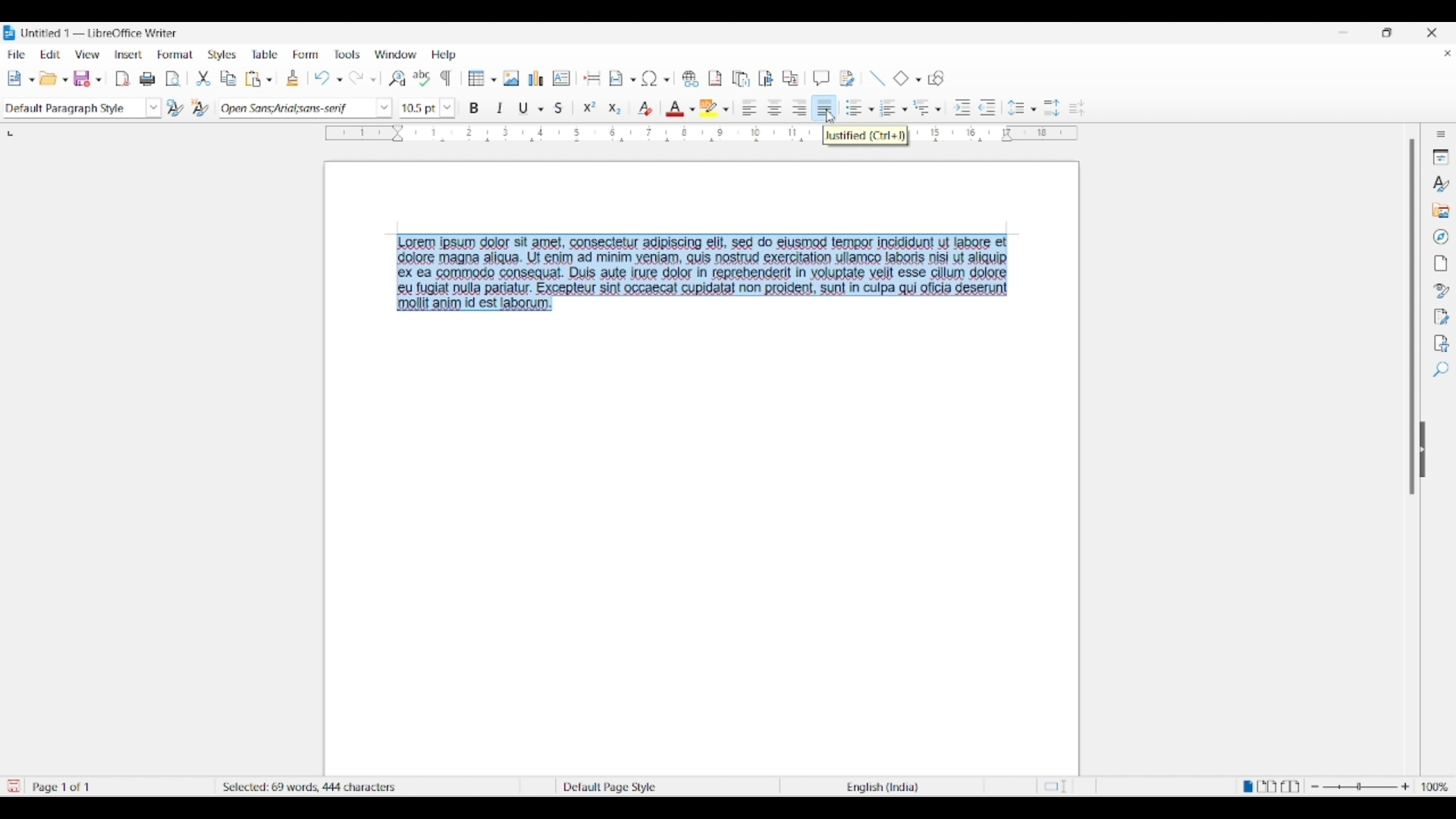 The image size is (1456, 819). Describe the element at coordinates (1441, 237) in the screenshot. I see `Navigator` at that location.